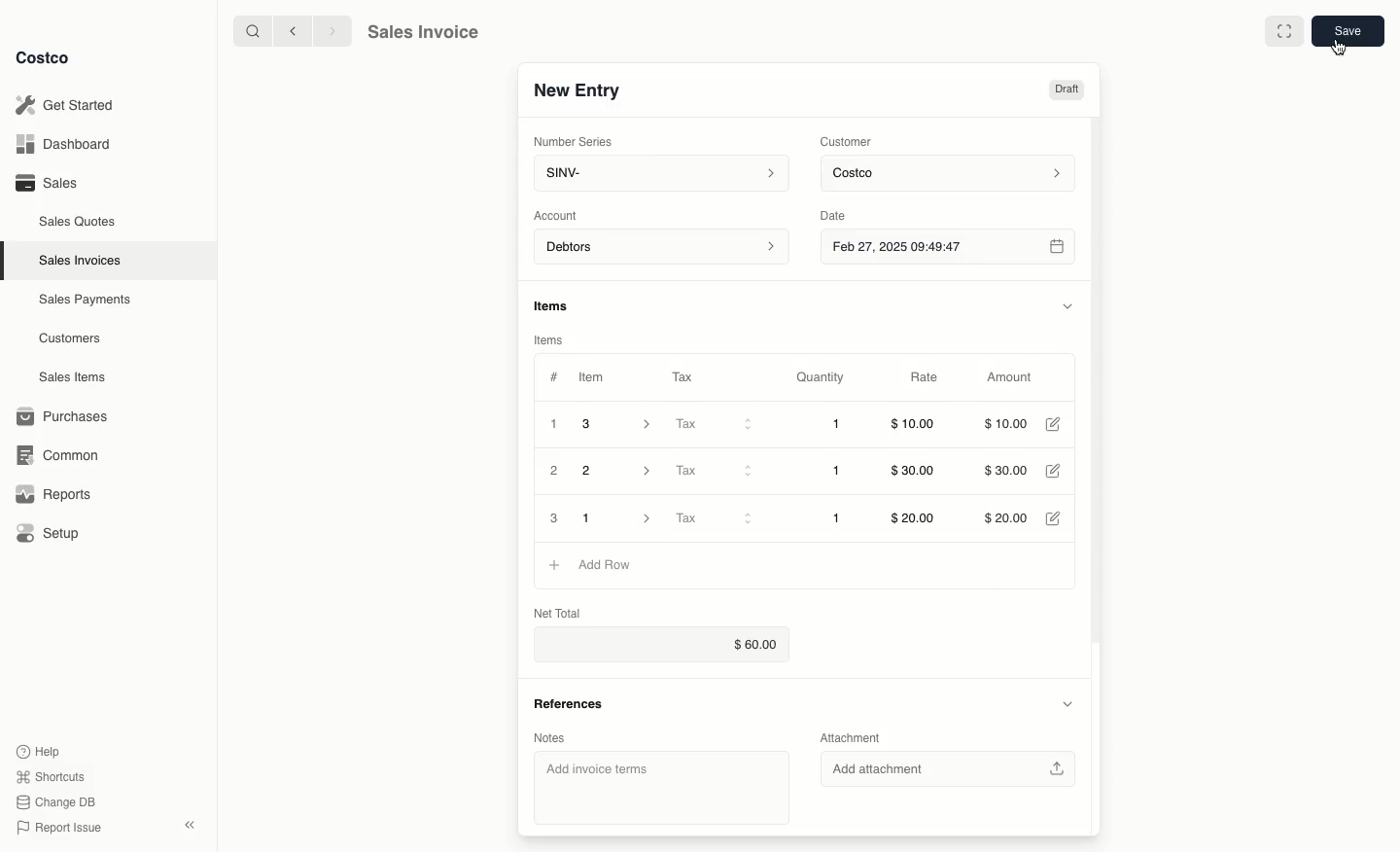 This screenshot has width=1400, height=852. Describe the element at coordinates (605, 564) in the screenshot. I see `Add rows` at that location.